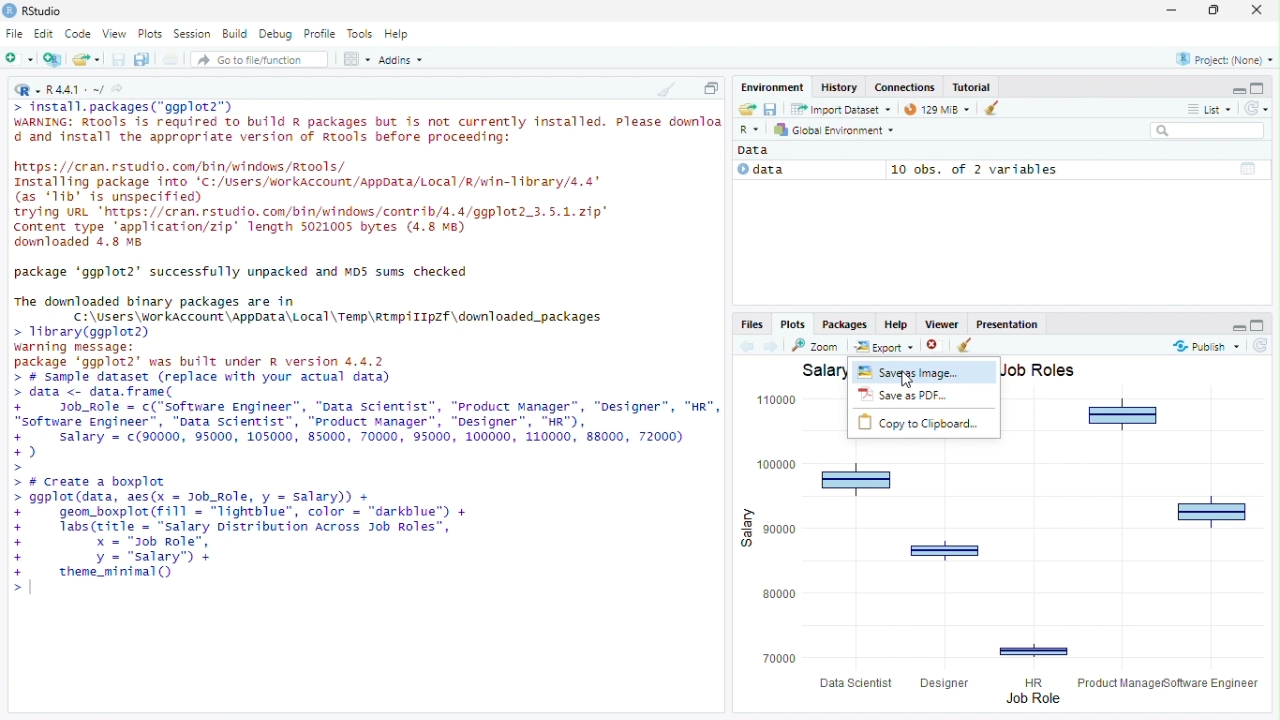 The height and width of the screenshot is (720, 1280). I want to click on packages, so click(844, 323).